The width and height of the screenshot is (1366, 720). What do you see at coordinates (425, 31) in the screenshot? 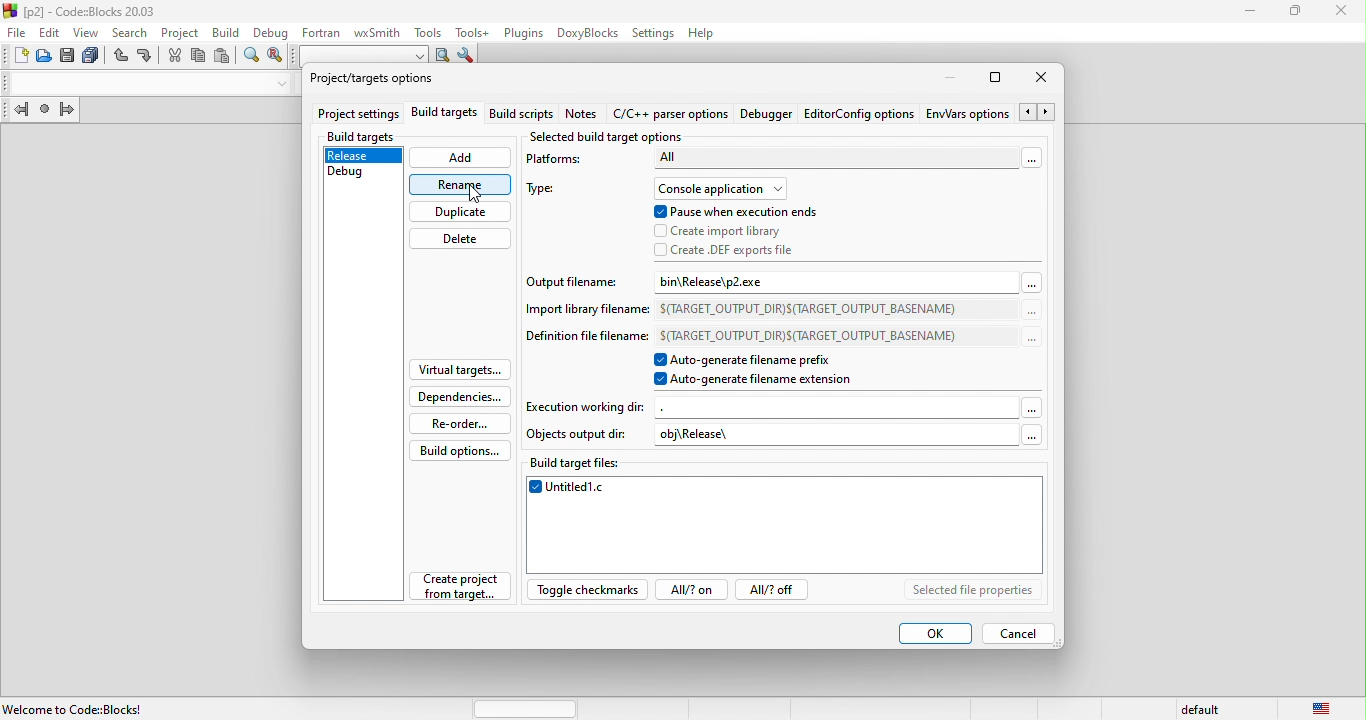
I see `tools` at bounding box center [425, 31].